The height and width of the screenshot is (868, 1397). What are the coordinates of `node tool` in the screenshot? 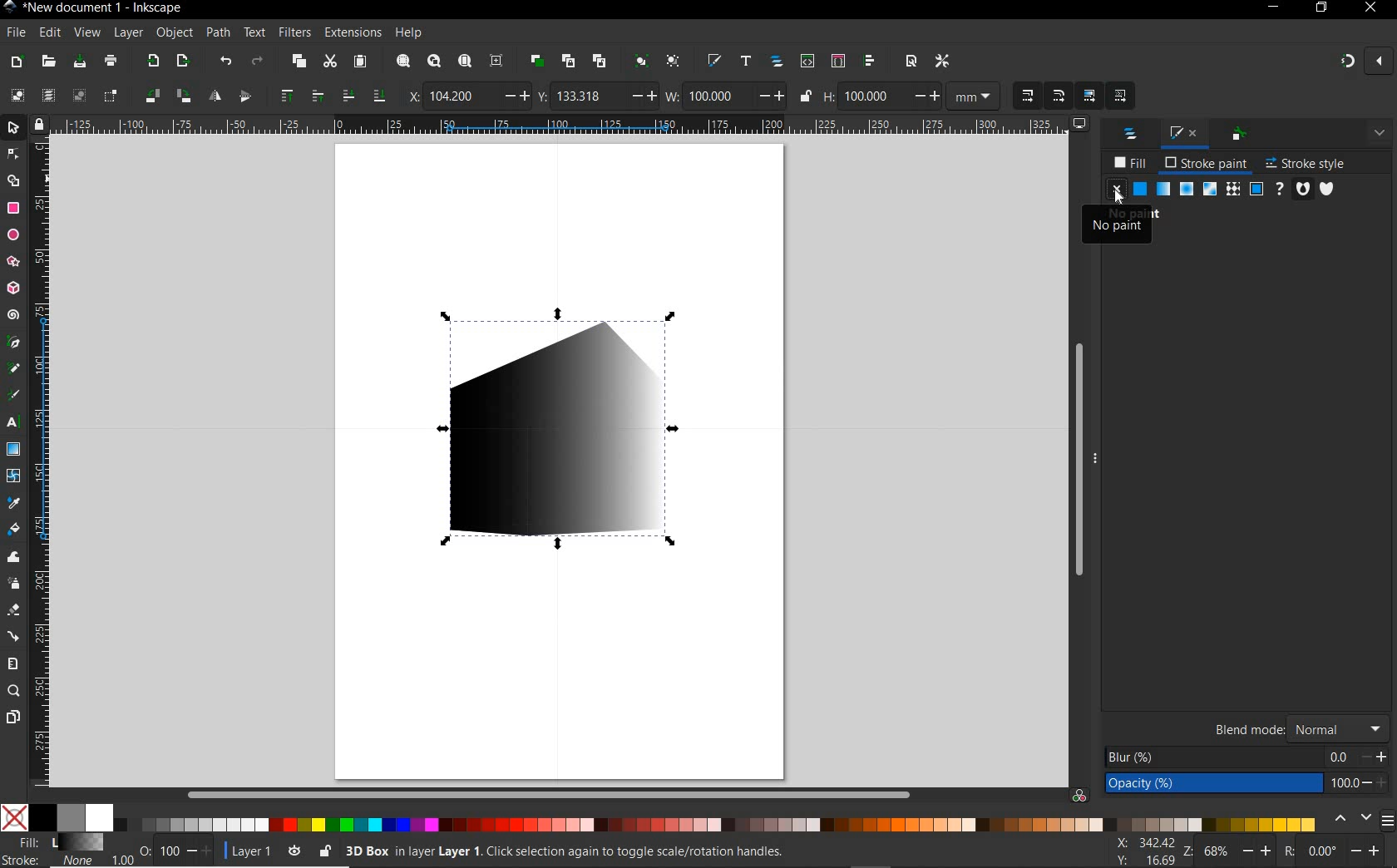 It's located at (15, 155).